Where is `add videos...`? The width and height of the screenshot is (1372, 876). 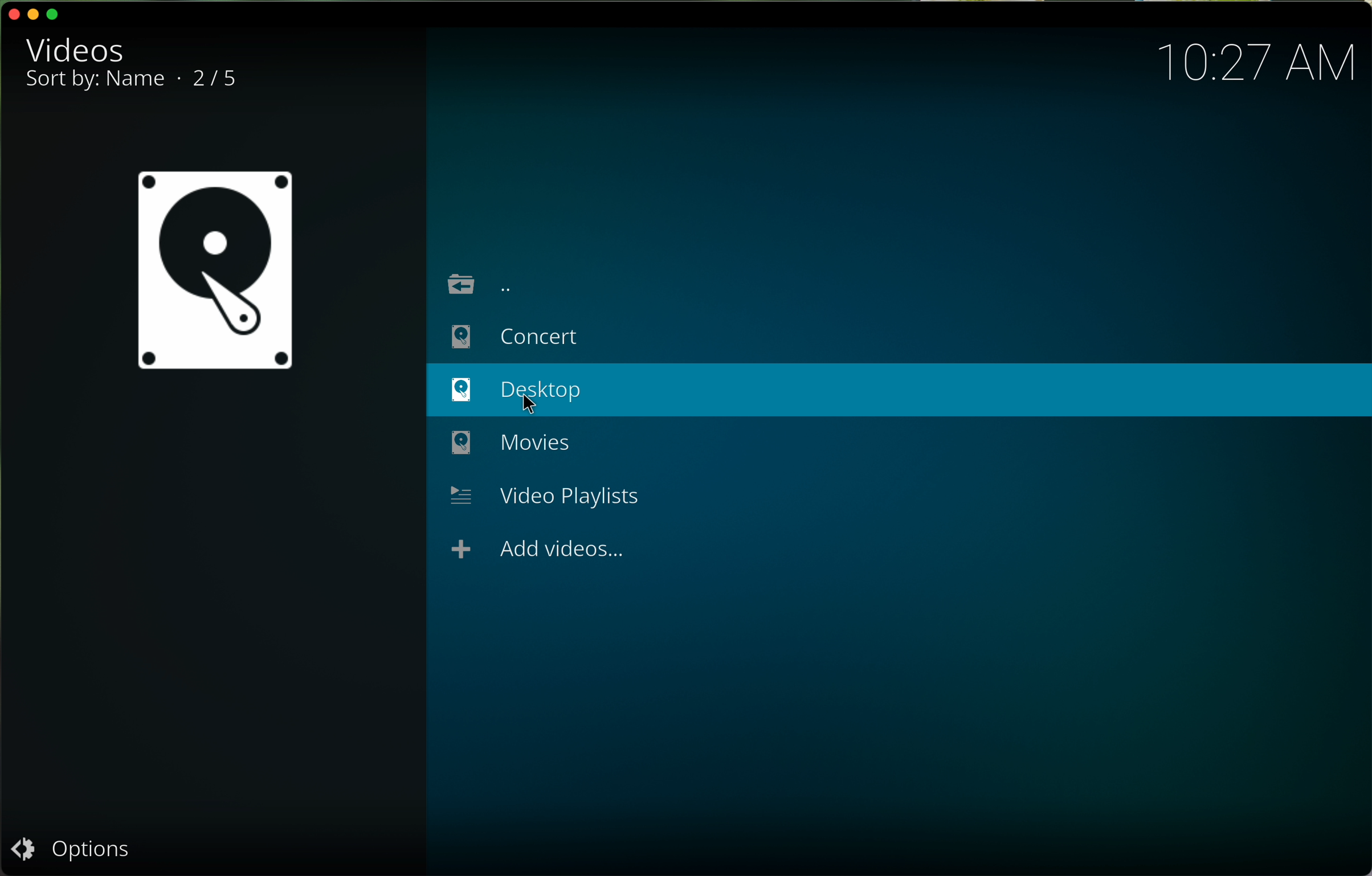
add videos... is located at coordinates (530, 551).